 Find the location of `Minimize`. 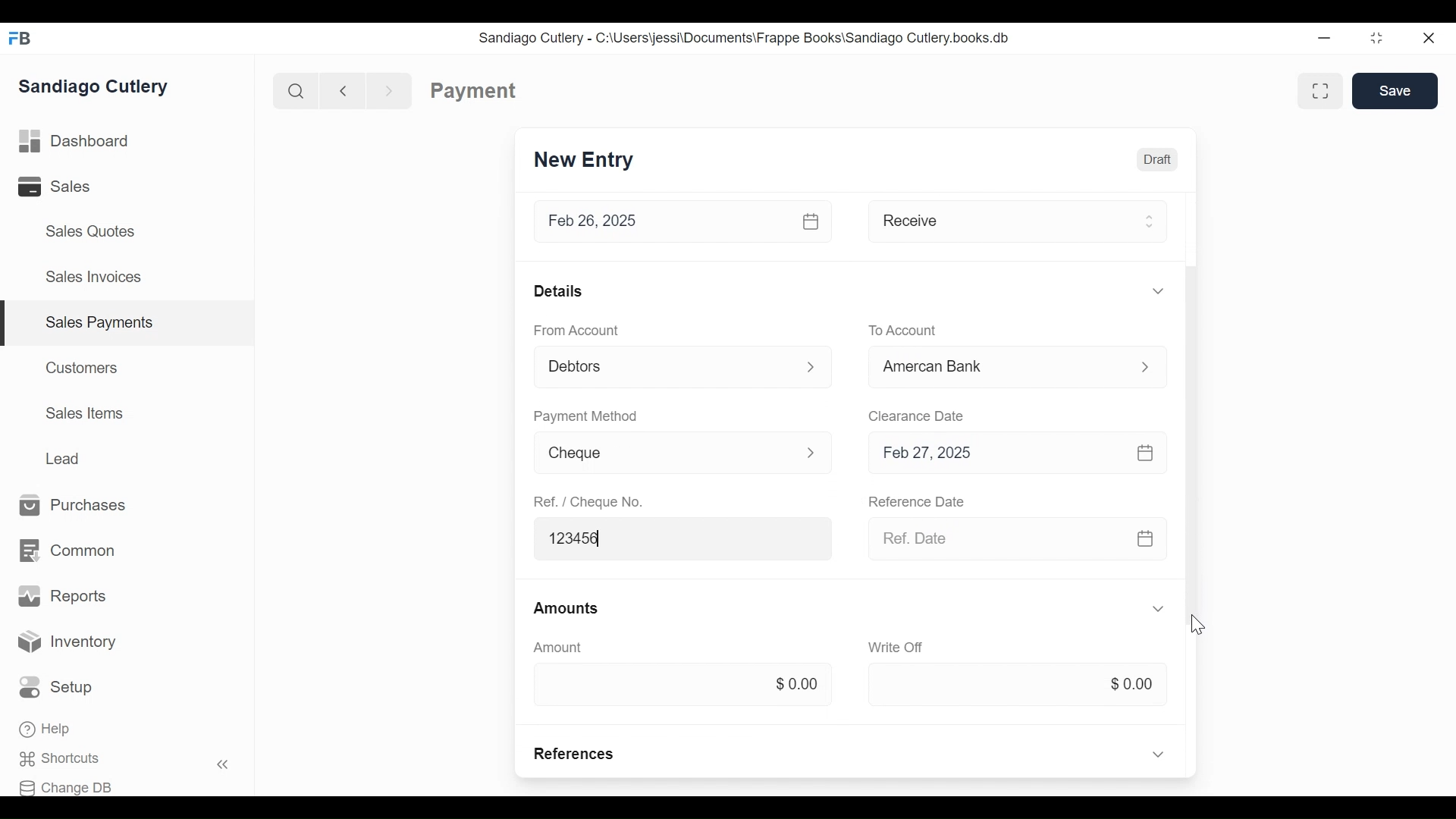

Minimize is located at coordinates (1324, 39).